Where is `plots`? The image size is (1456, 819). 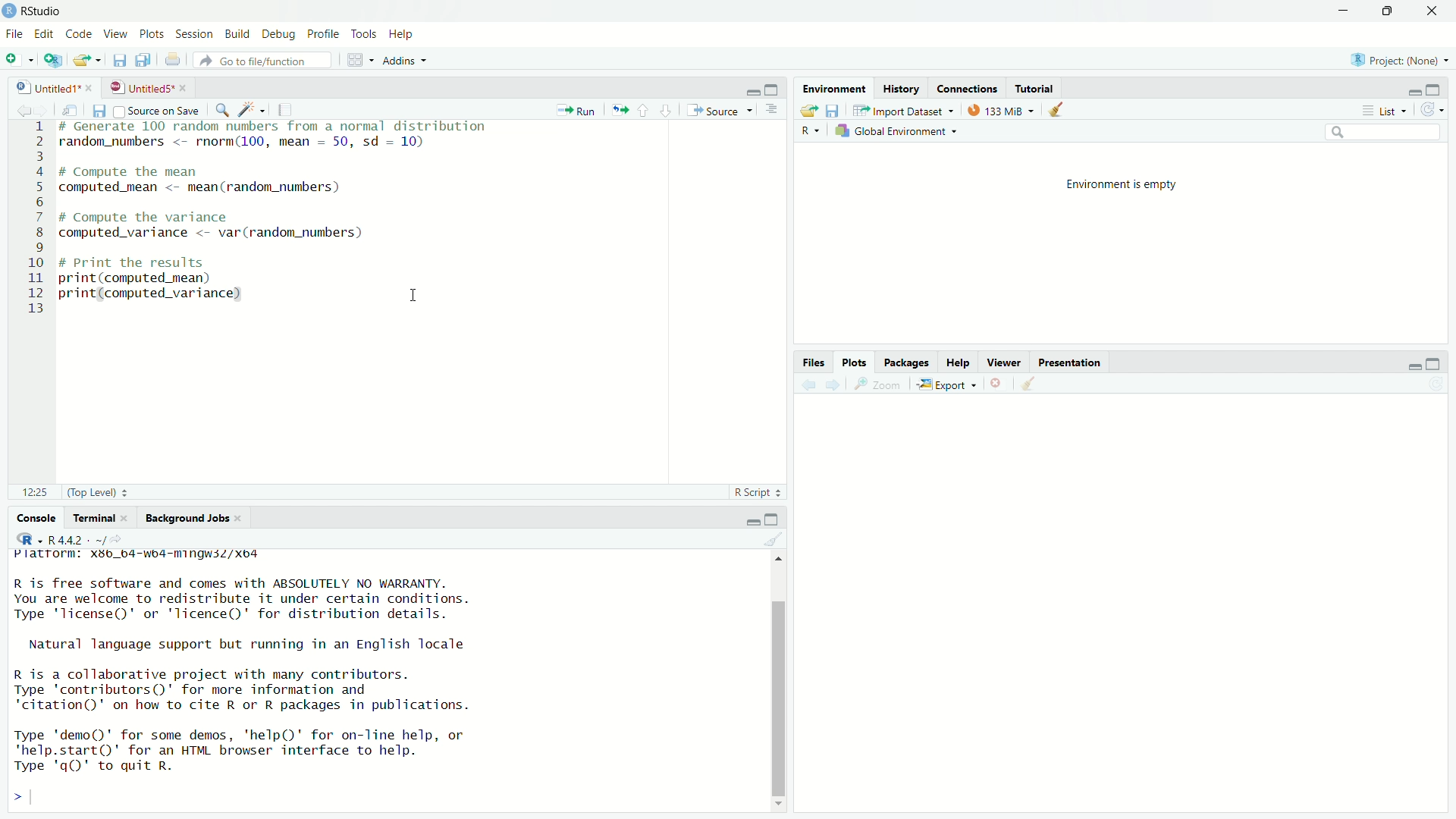
plots is located at coordinates (855, 362).